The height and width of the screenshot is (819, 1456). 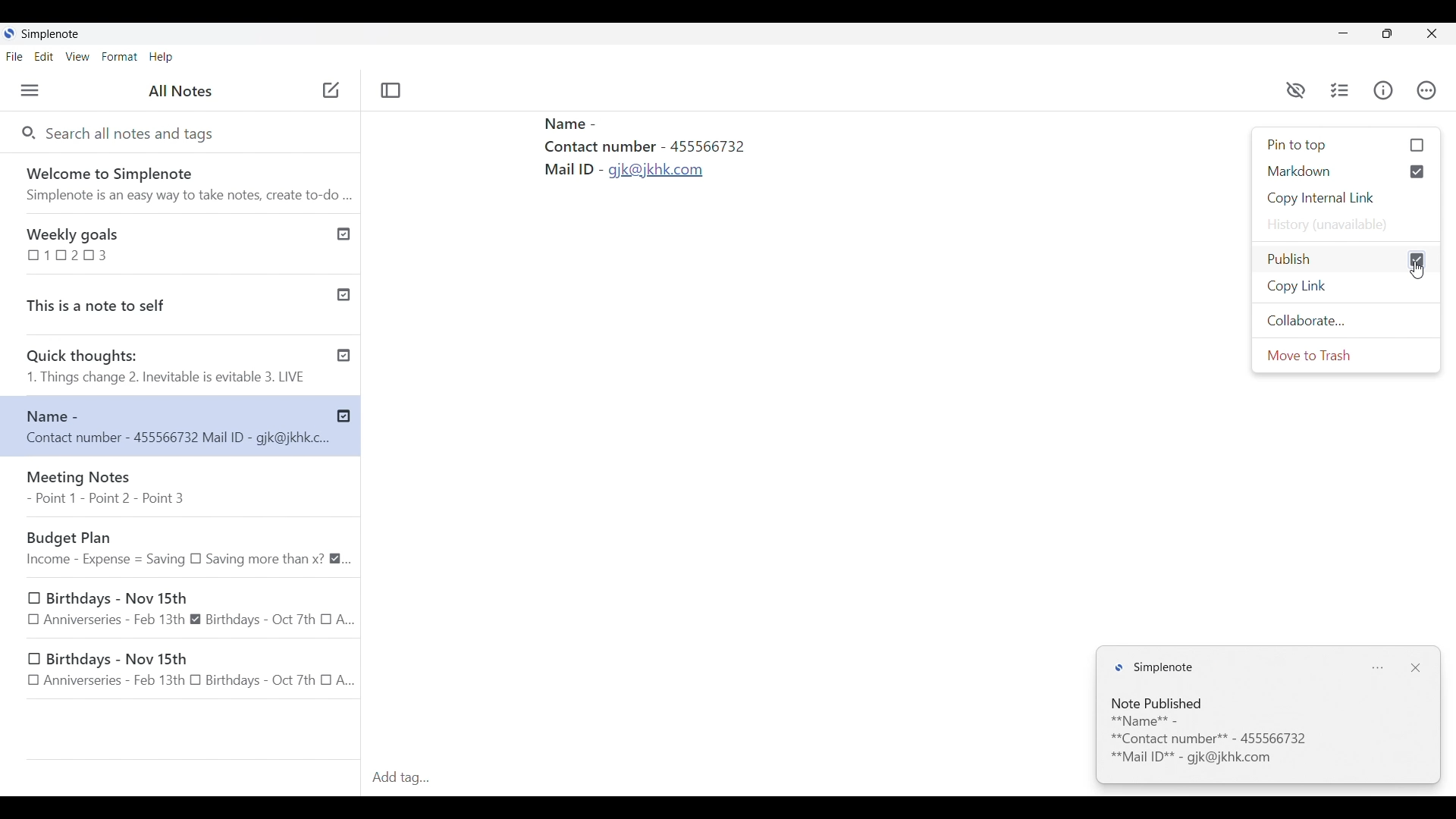 What do you see at coordinates (44, 56) in the screenshot?
I see `Edit menu` at bounding box center [44, 56].